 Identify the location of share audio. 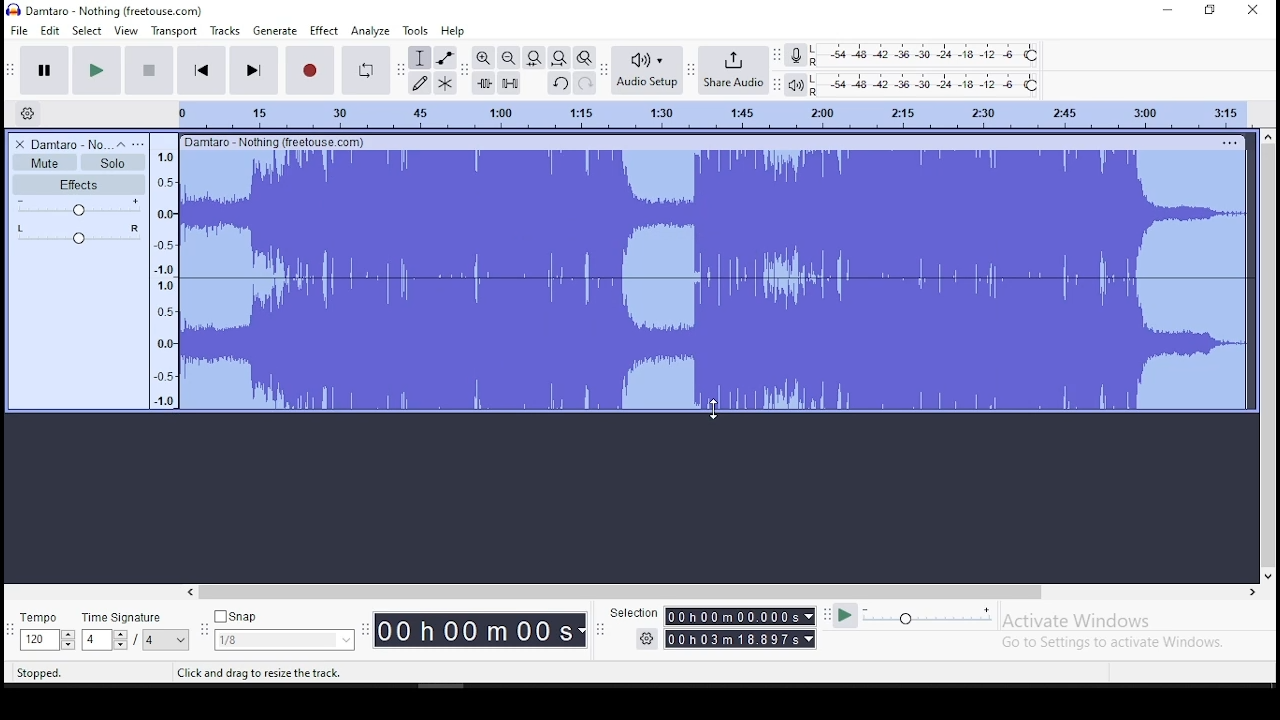
(734, 70).